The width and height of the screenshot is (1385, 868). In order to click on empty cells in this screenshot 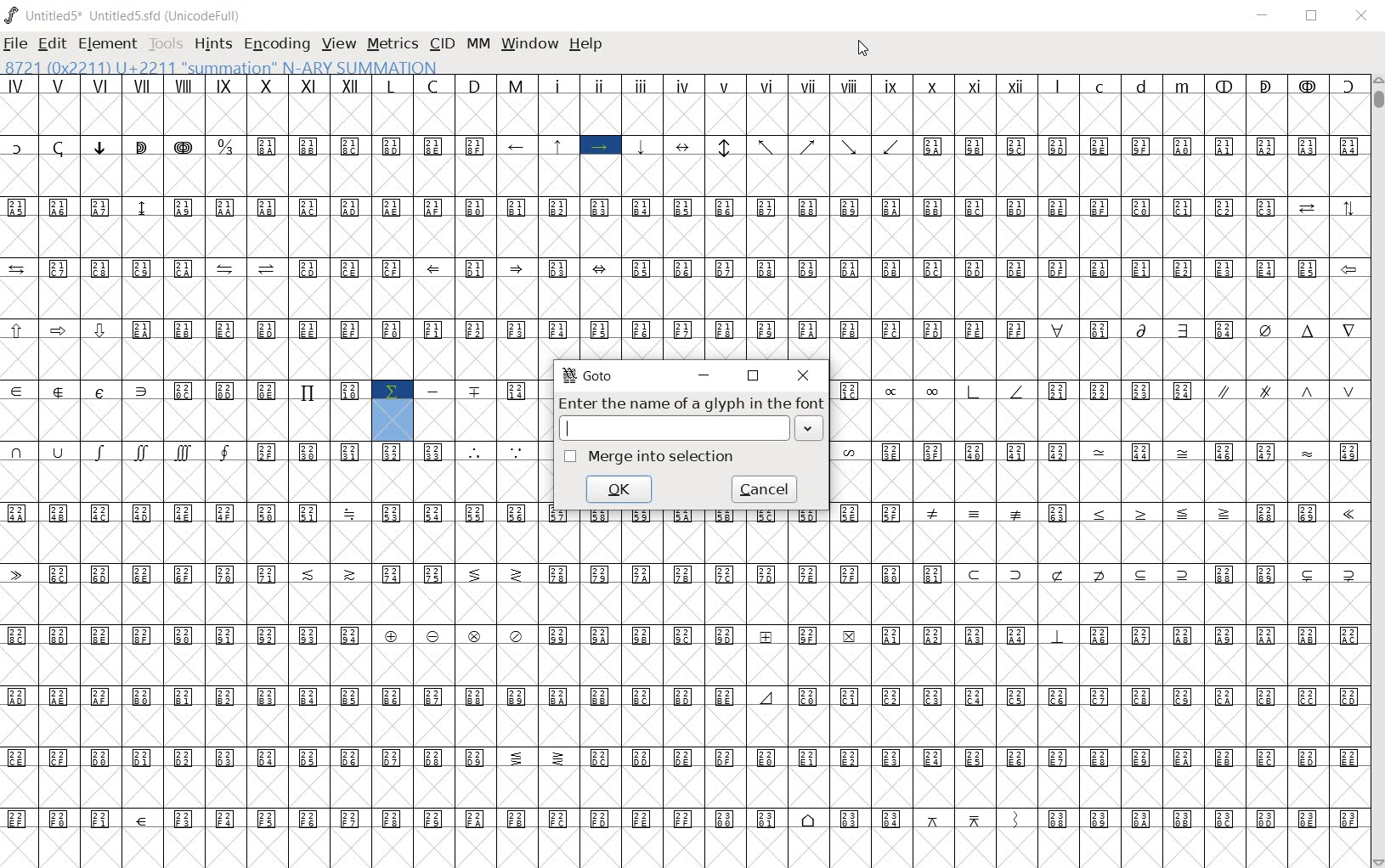, I will do `click(687, 299)`.